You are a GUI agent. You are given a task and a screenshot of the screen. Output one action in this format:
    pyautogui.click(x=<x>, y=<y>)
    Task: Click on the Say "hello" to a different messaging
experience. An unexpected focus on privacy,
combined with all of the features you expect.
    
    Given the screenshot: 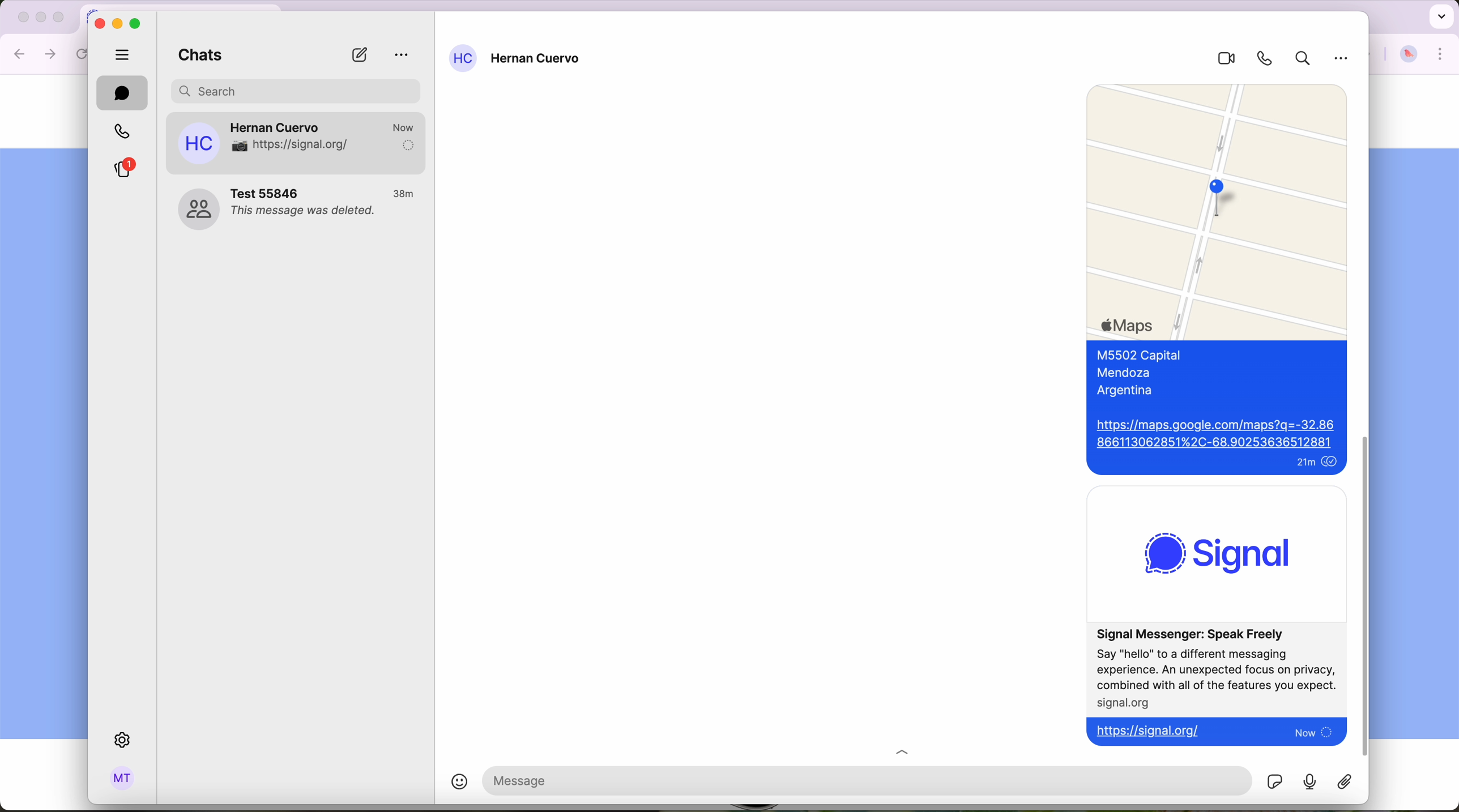 What is the action you would take?
    pyautogui.click(x=1217, y=669)
    